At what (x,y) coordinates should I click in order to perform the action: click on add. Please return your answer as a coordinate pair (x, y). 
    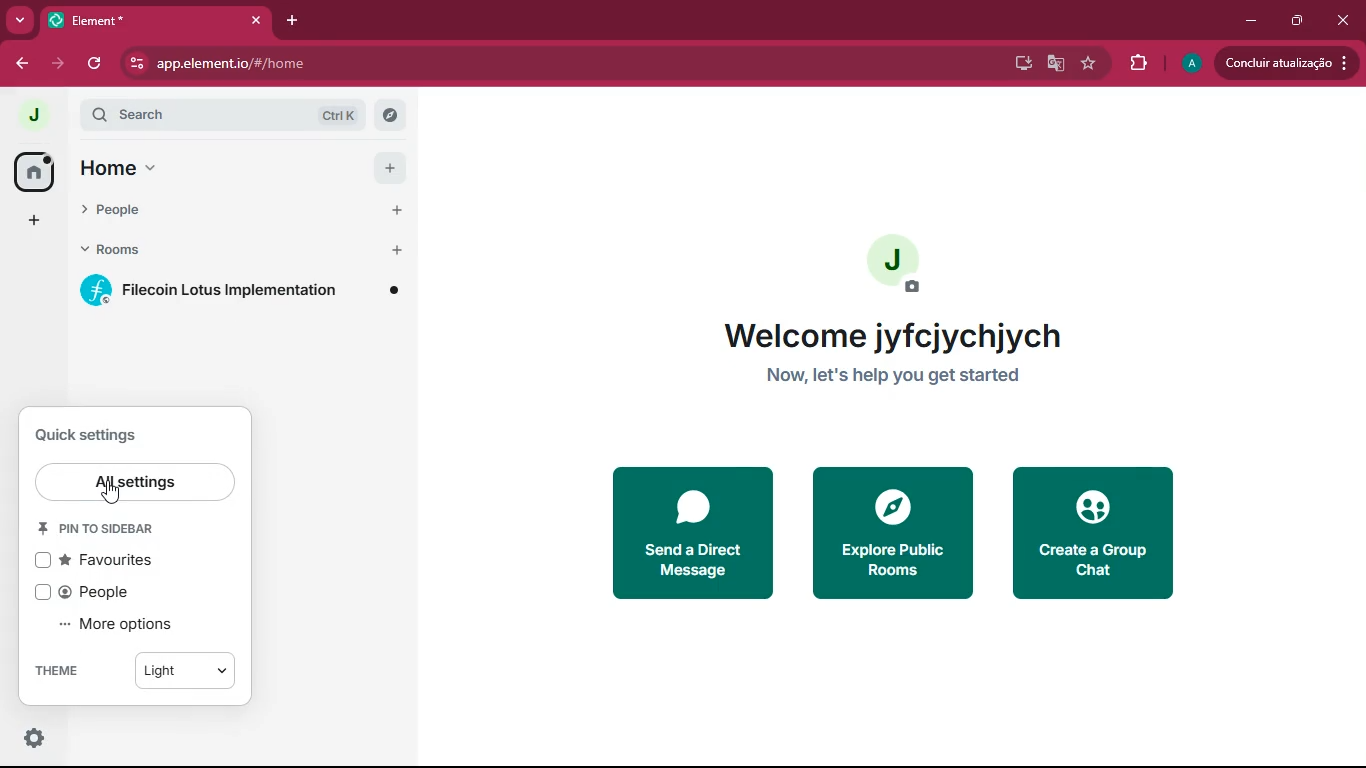
    Looking at the image, I should click on (33, 220).